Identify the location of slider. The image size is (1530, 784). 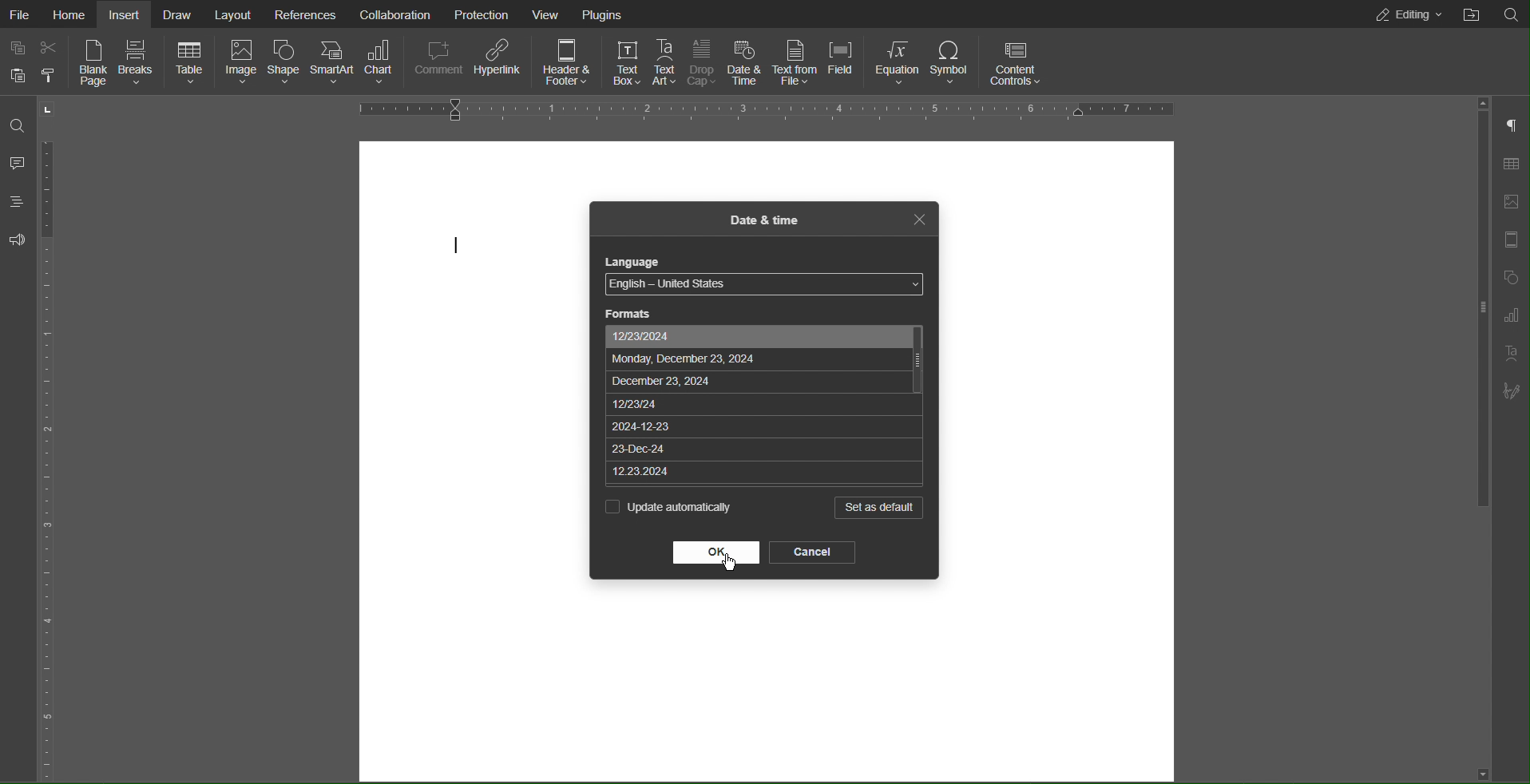
(1470, 329).